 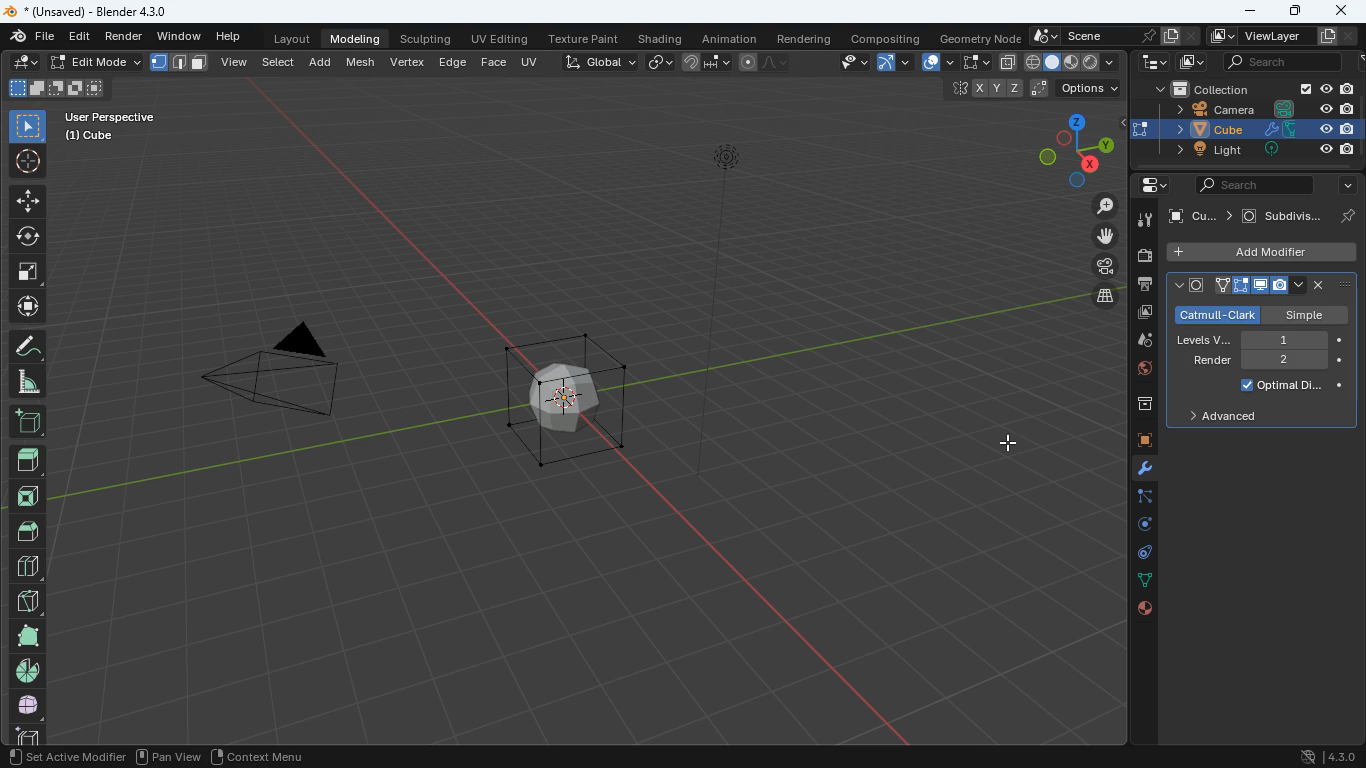 I want to click on add, so click(x=321, y=65).